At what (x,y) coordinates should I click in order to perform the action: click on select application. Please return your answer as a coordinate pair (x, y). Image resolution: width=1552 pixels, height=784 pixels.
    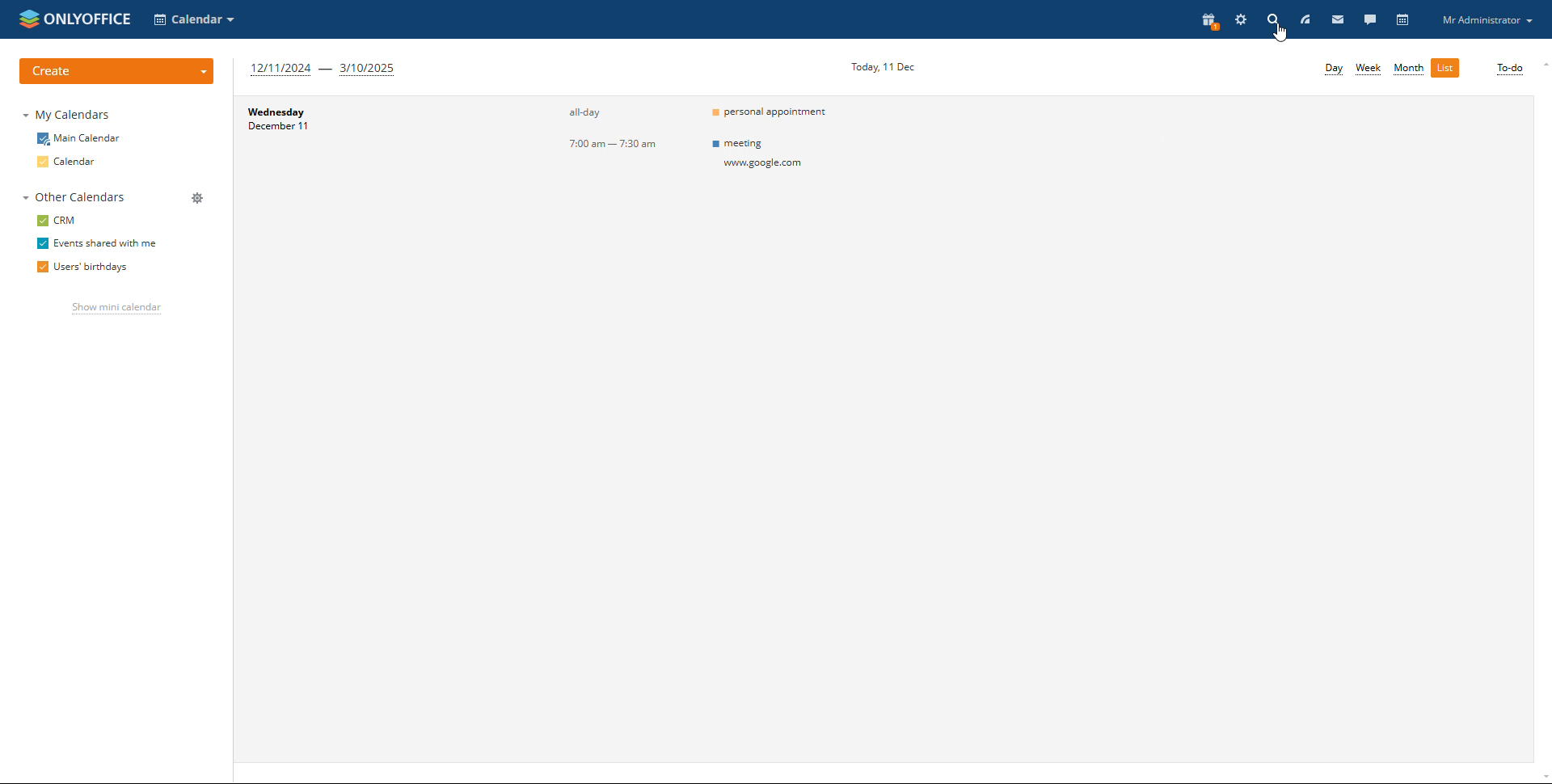
    Looking at the image, I should click on (195, 19).